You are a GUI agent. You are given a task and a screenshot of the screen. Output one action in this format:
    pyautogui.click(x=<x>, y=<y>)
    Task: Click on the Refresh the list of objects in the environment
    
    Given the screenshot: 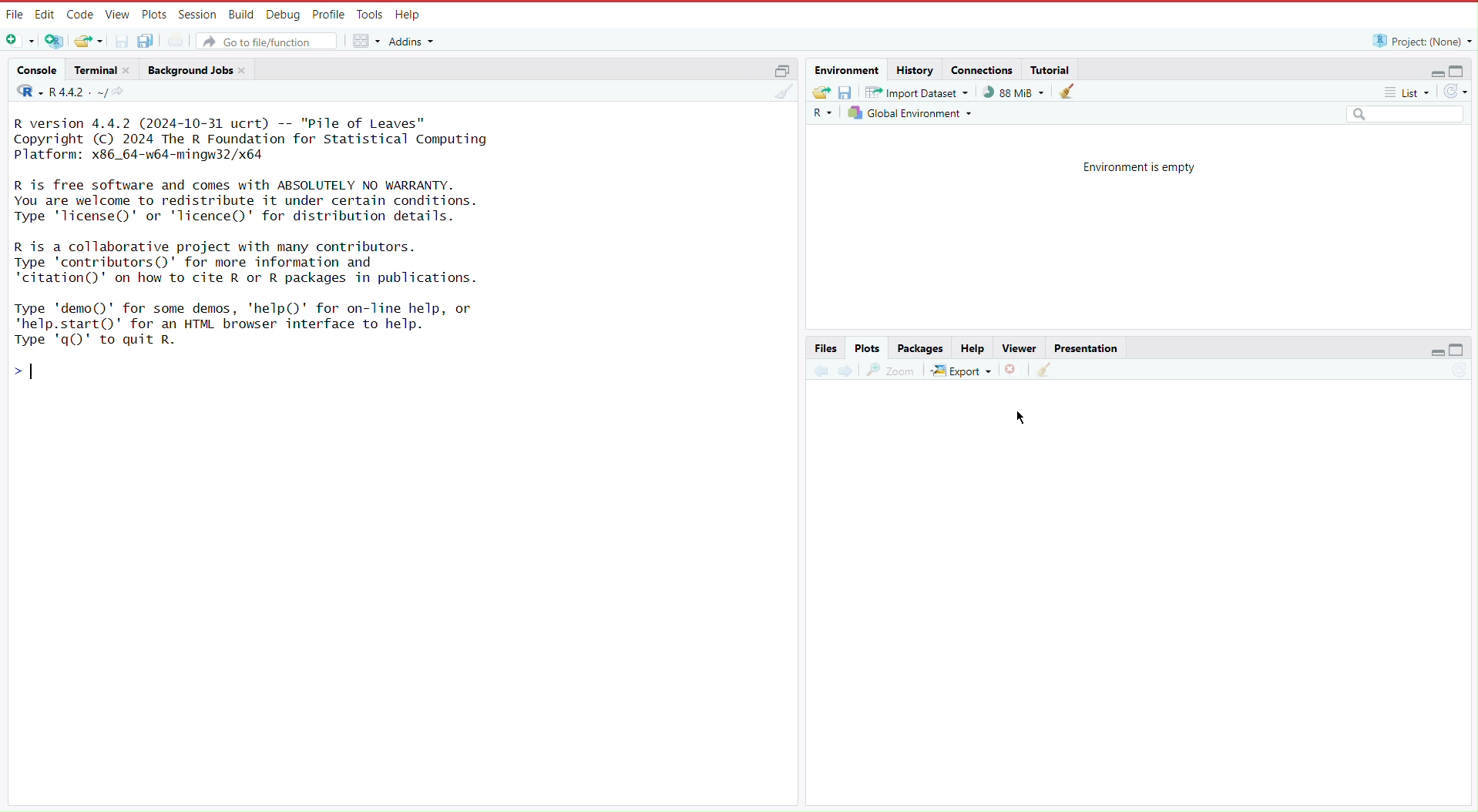 What is the action you would take?
    pyautogui.click(x=1455, y=93)
    